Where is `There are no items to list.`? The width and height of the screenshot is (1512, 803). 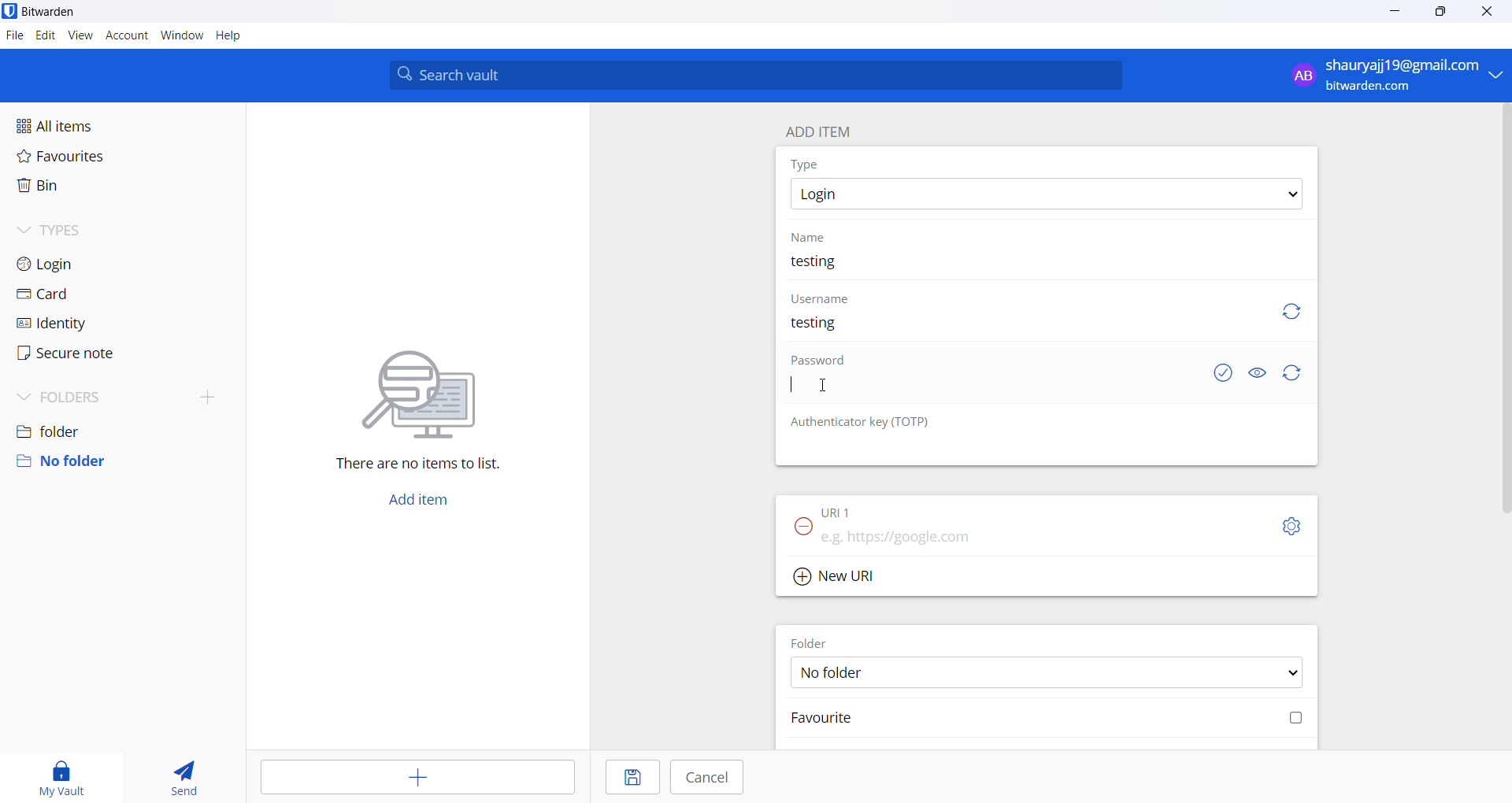 There are no items to list. is located at coordinates (417, 413).